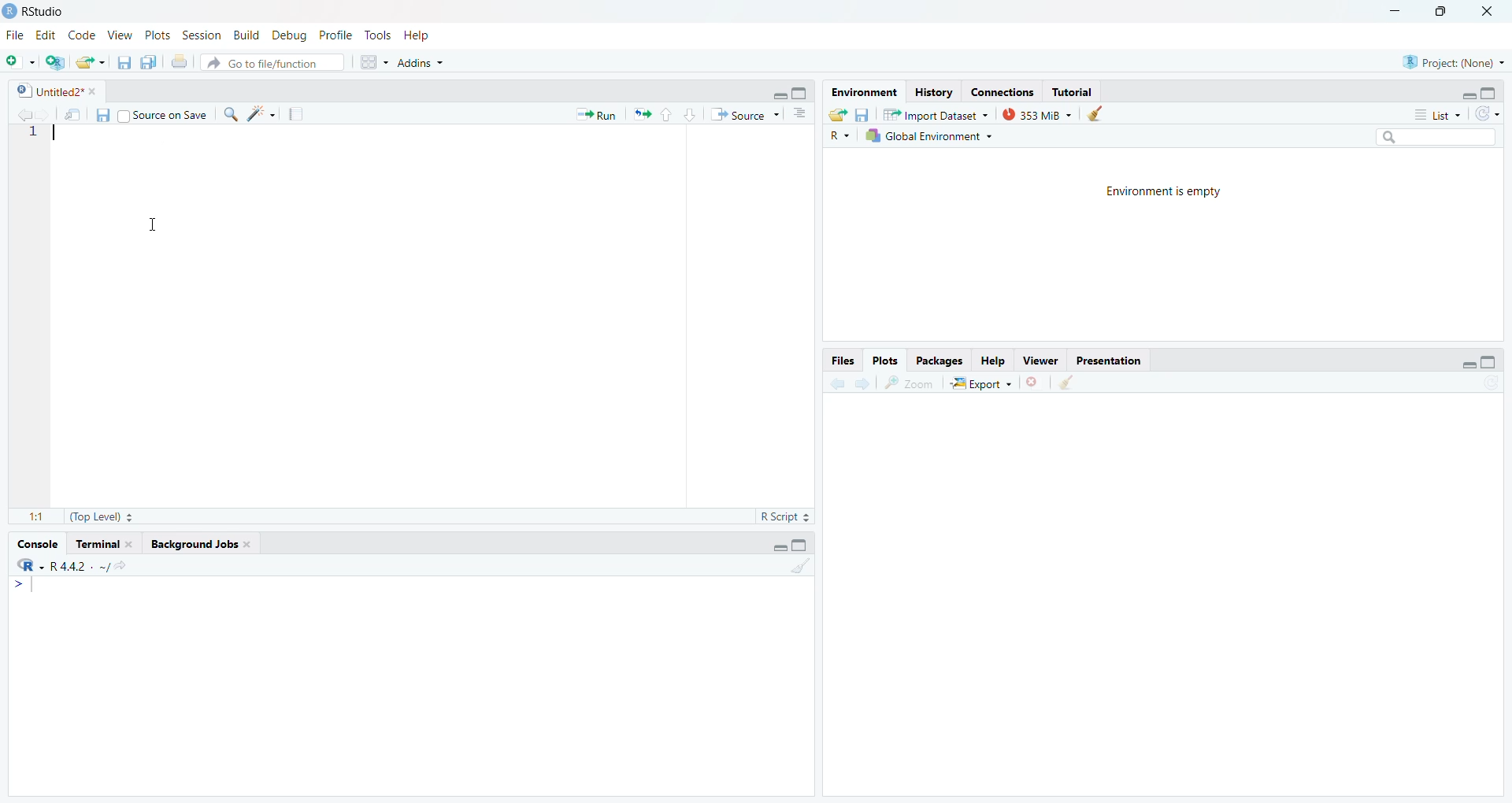 This screenshot has width=1512, height=803. What do you see at coordinates (200, 546) in the screenshot?
I see `‘Background Jobs` at bounding box center [200, 546].